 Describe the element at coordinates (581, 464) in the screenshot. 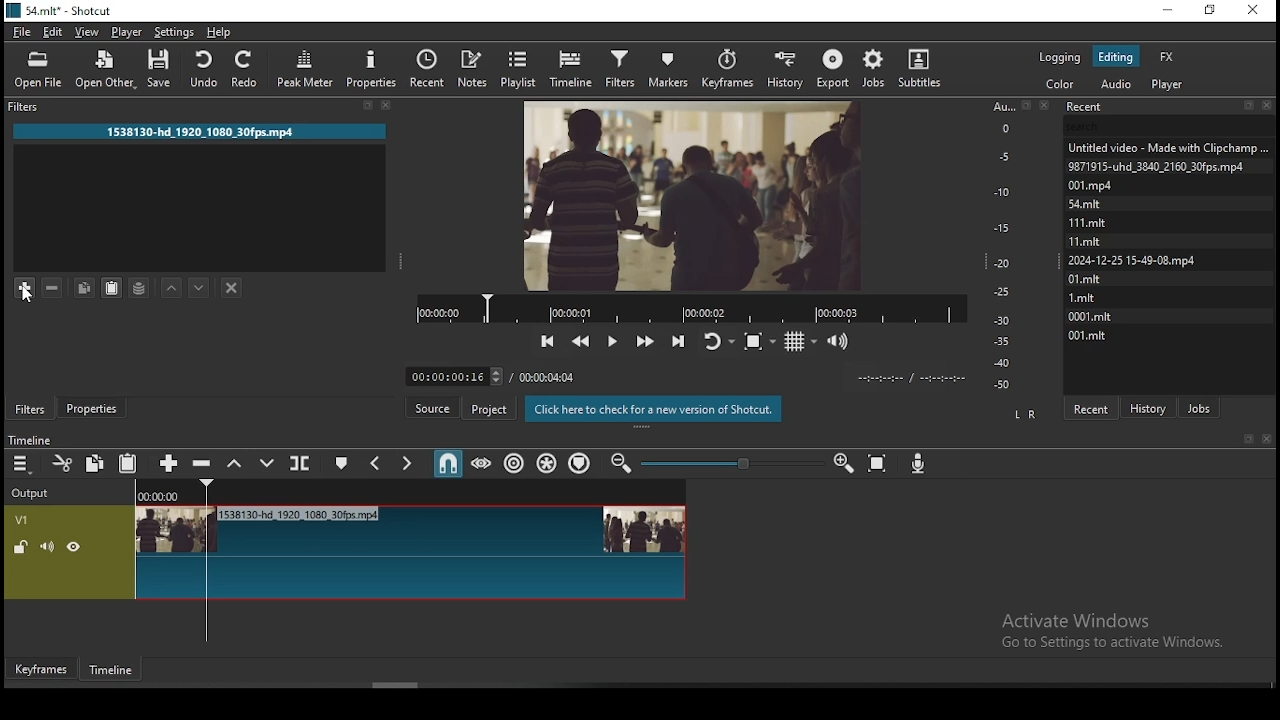

I see `ripple markers` at that location.